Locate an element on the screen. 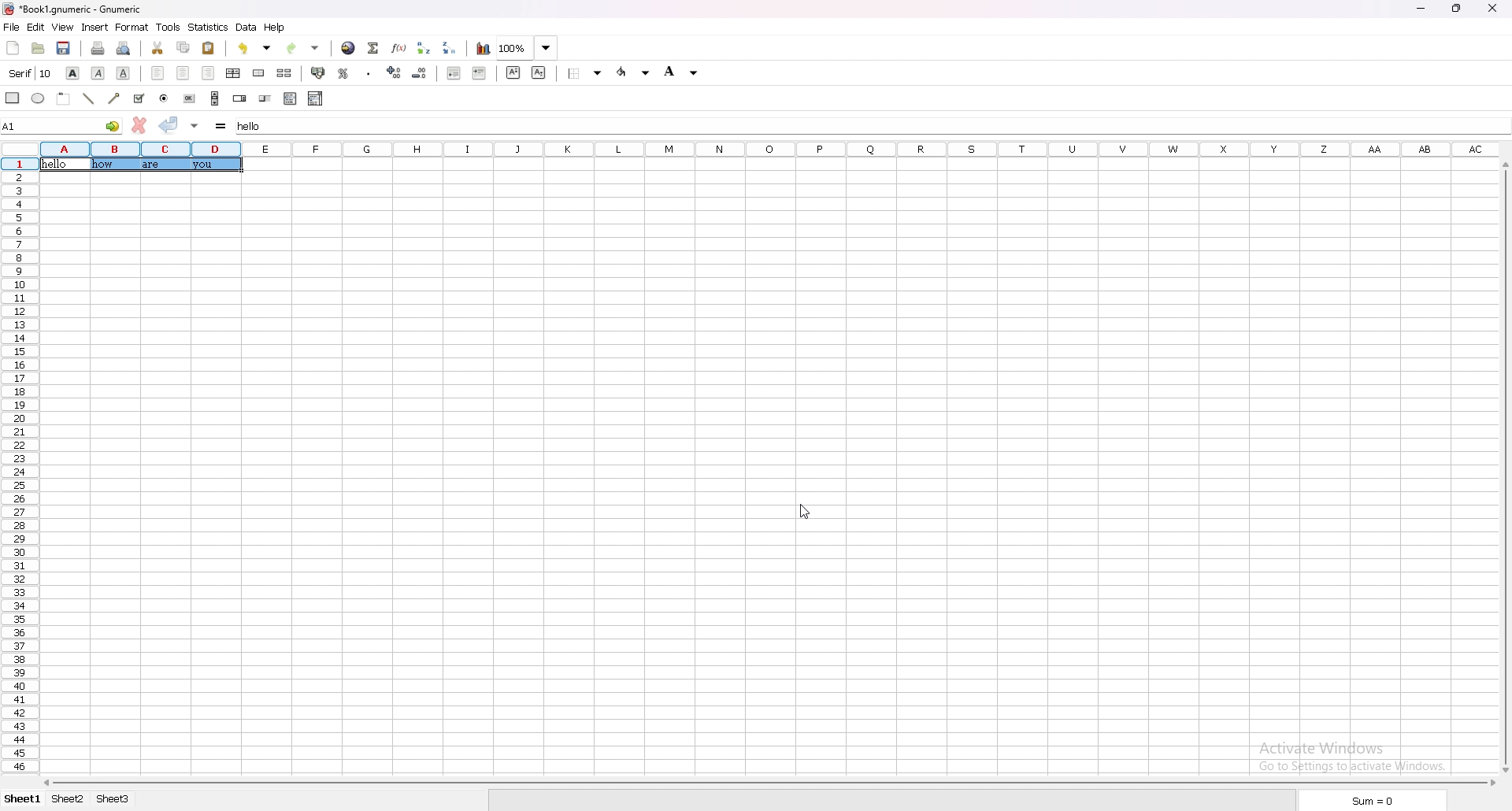 Image resolution: width=1512 pixels, height=811 pixels. scroll bar is located at coordinates (215, 98).